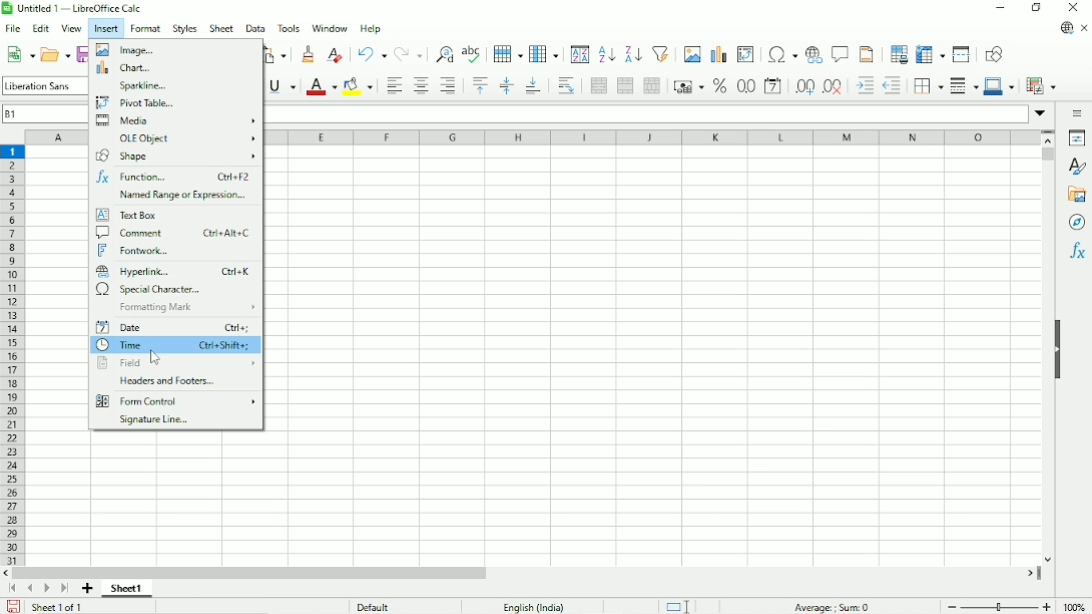 The height and width of the screenshot is (614, 1092). Describe the element at coordinates (478, 86) in the screenshot. I see `Align top` at that location.